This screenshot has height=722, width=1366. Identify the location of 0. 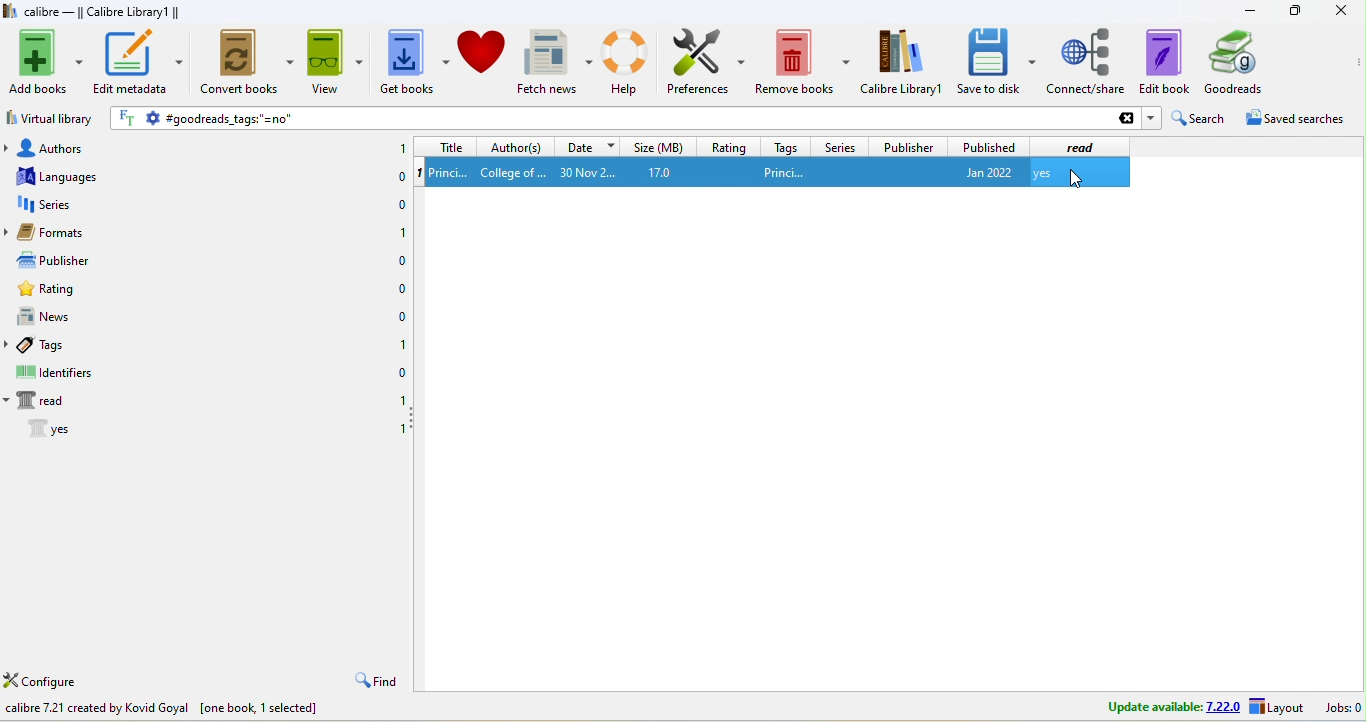
(397, 179).